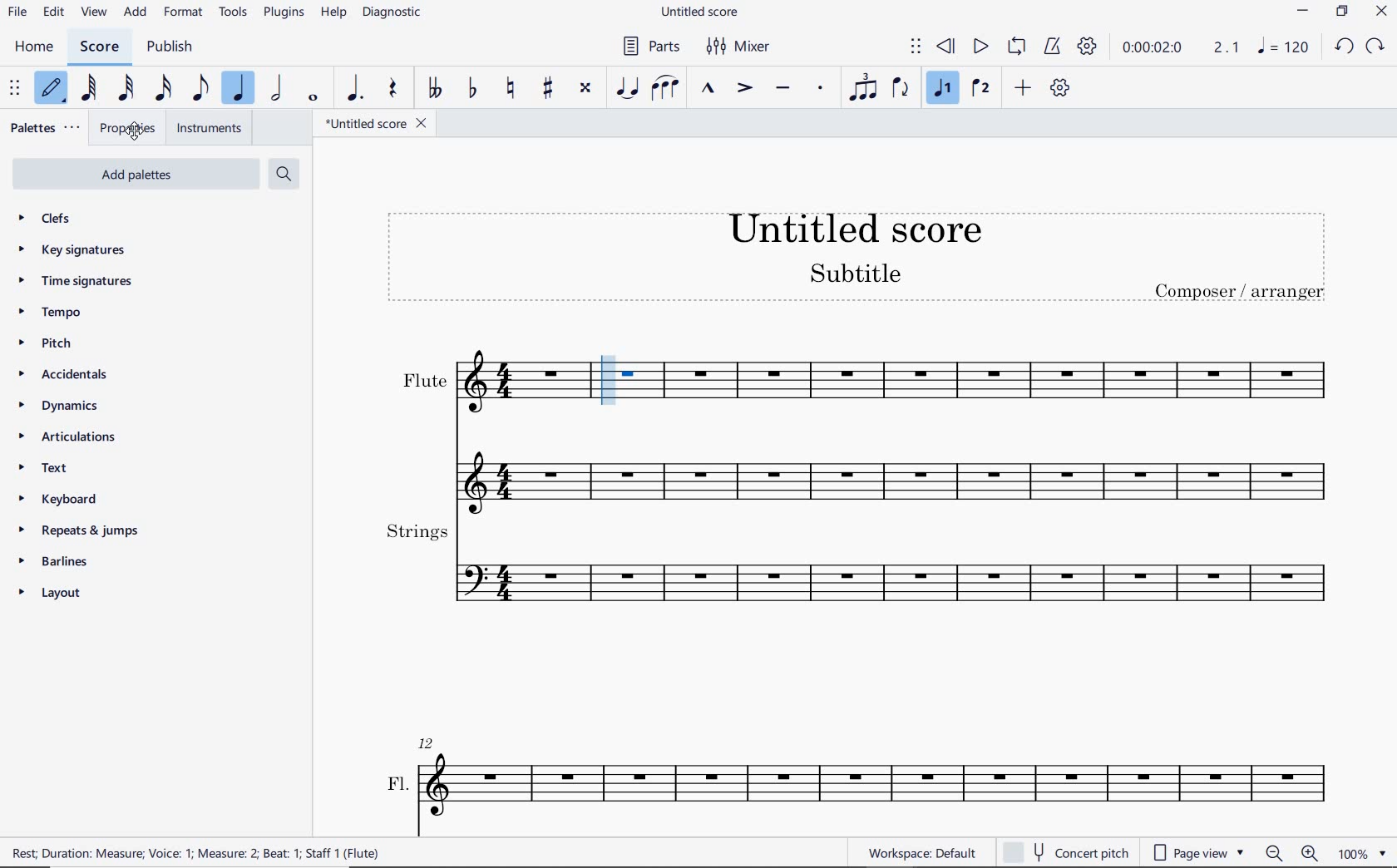  I want to click on TOGGLE NATURAL, so click(512, 87).